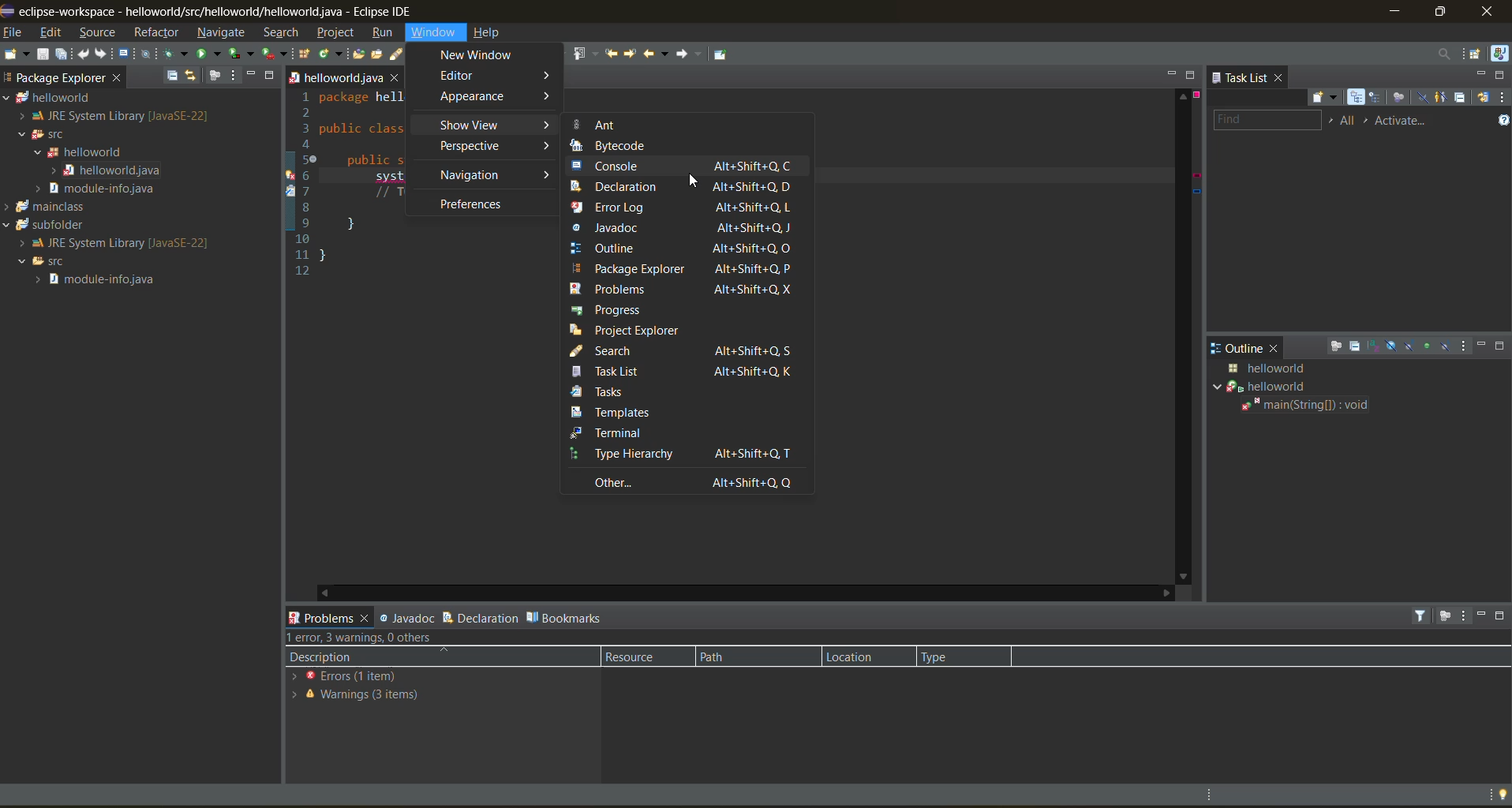  What do you see at coordinates (1357, 344) in the screenshot?
I see `collapse all` at bounding box center [1357, 344].